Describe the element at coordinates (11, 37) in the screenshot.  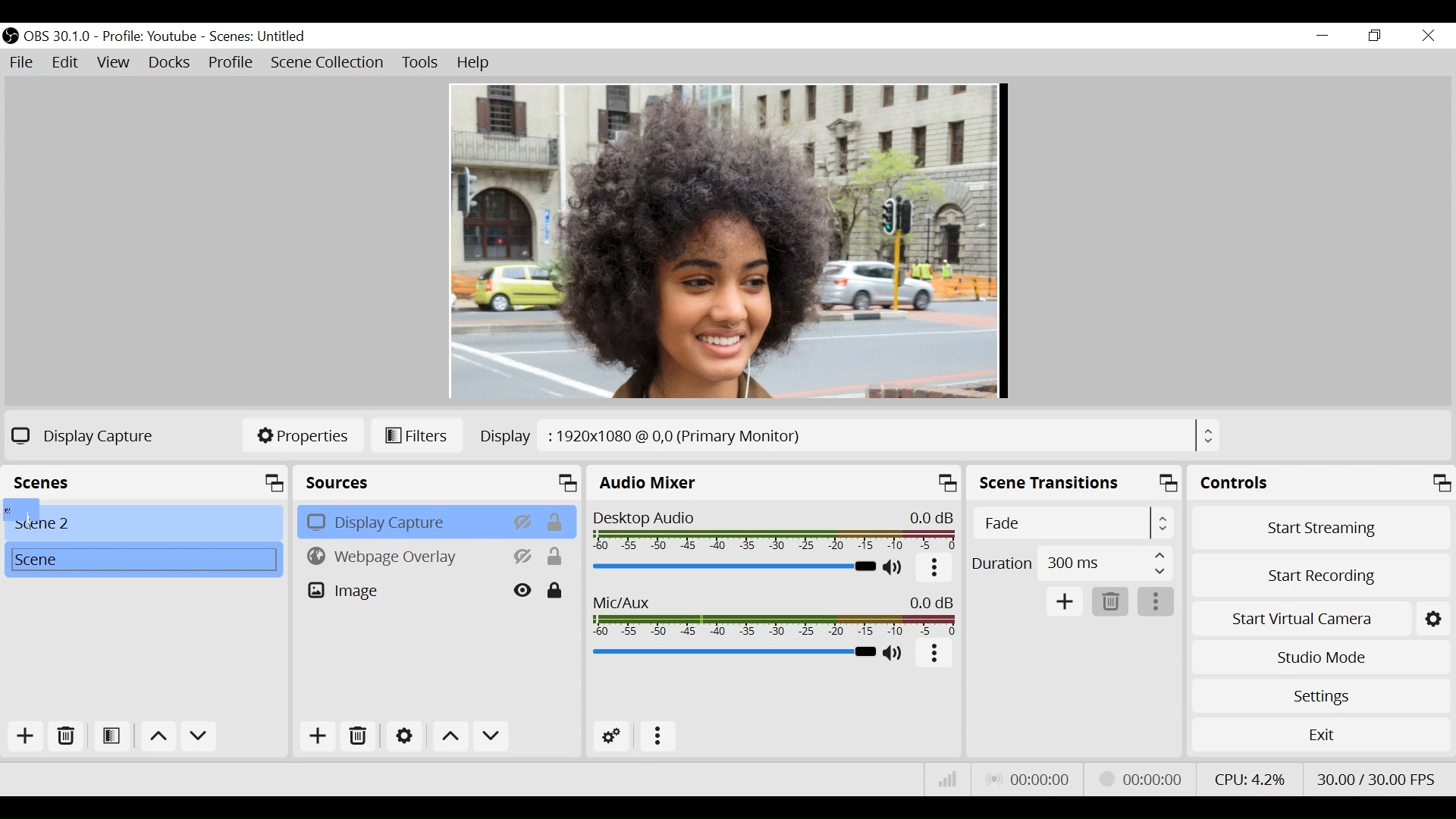
I see `OBS Studio Desktop Icon` at that location.